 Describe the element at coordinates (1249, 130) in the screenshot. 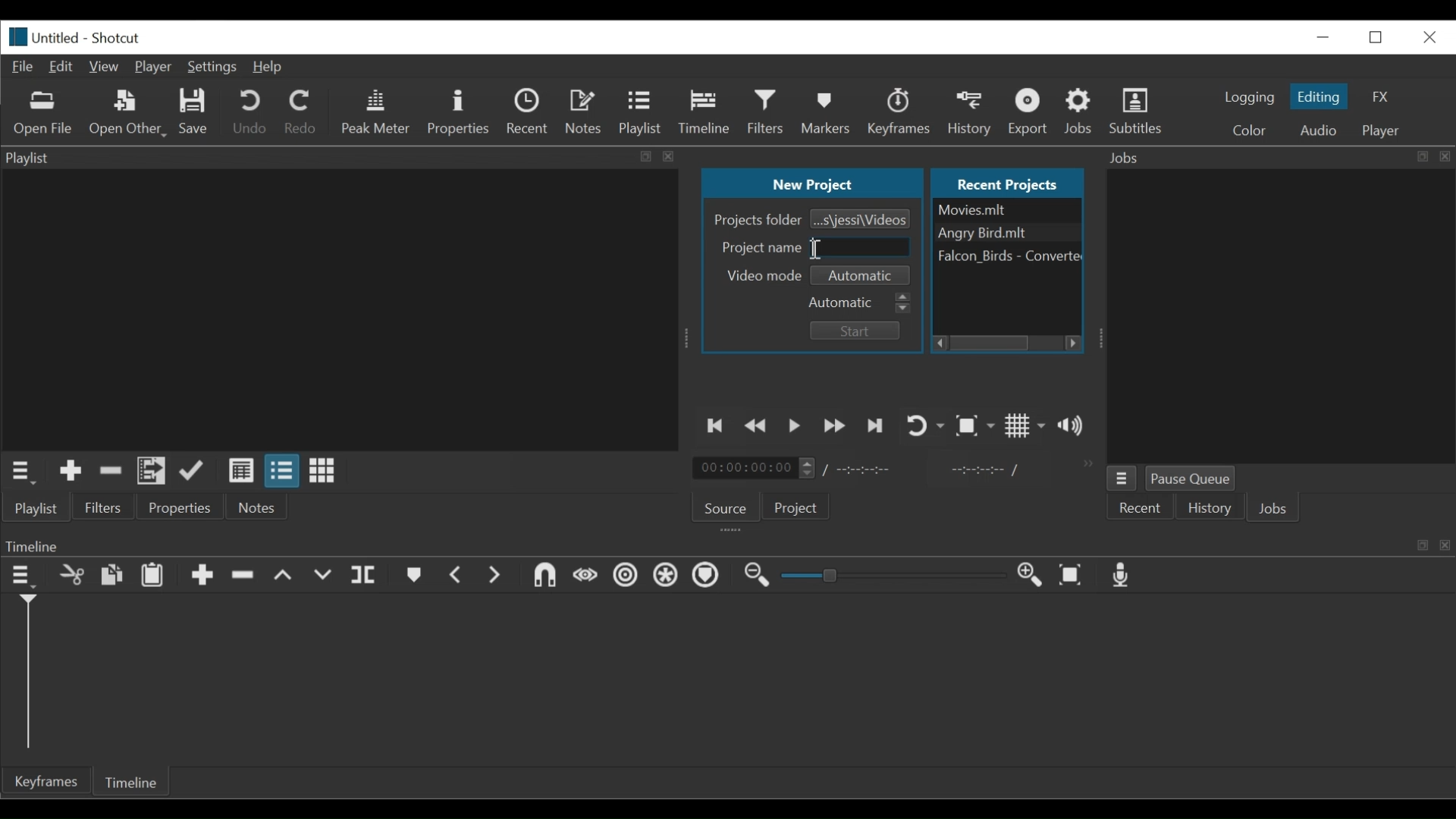

I see `Color` at that location.